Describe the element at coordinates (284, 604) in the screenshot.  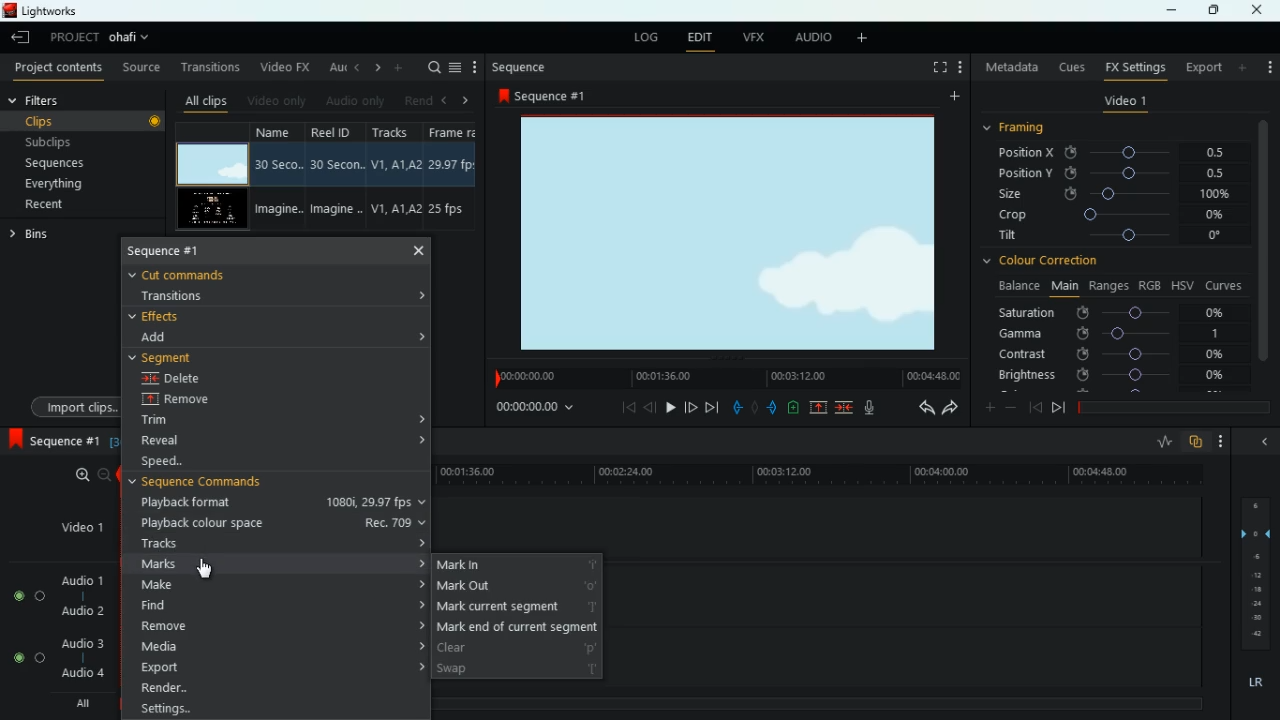
I see `find` at that location.